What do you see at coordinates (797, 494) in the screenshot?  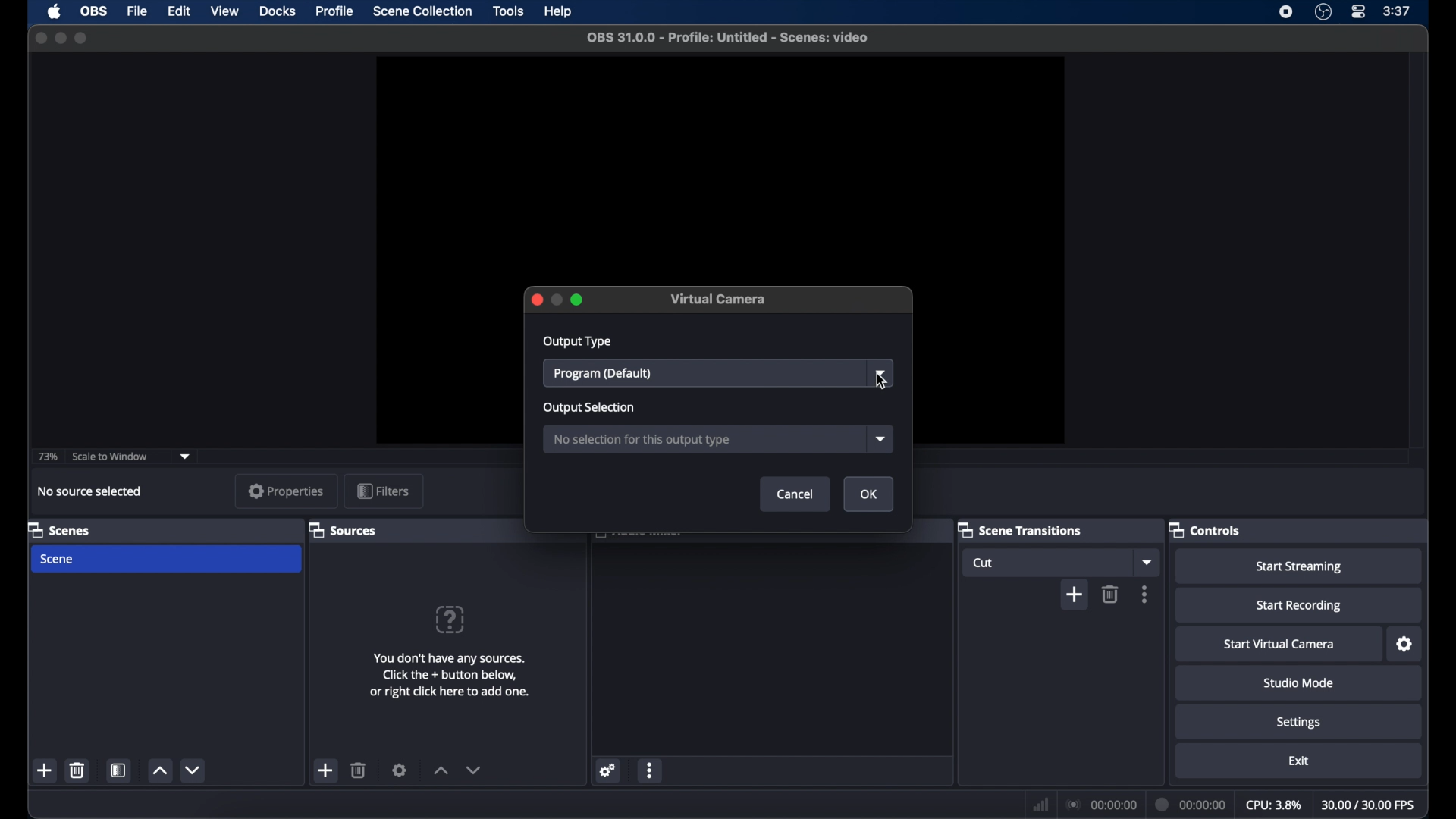 I see `cancel` at bounding box center [797, 494].